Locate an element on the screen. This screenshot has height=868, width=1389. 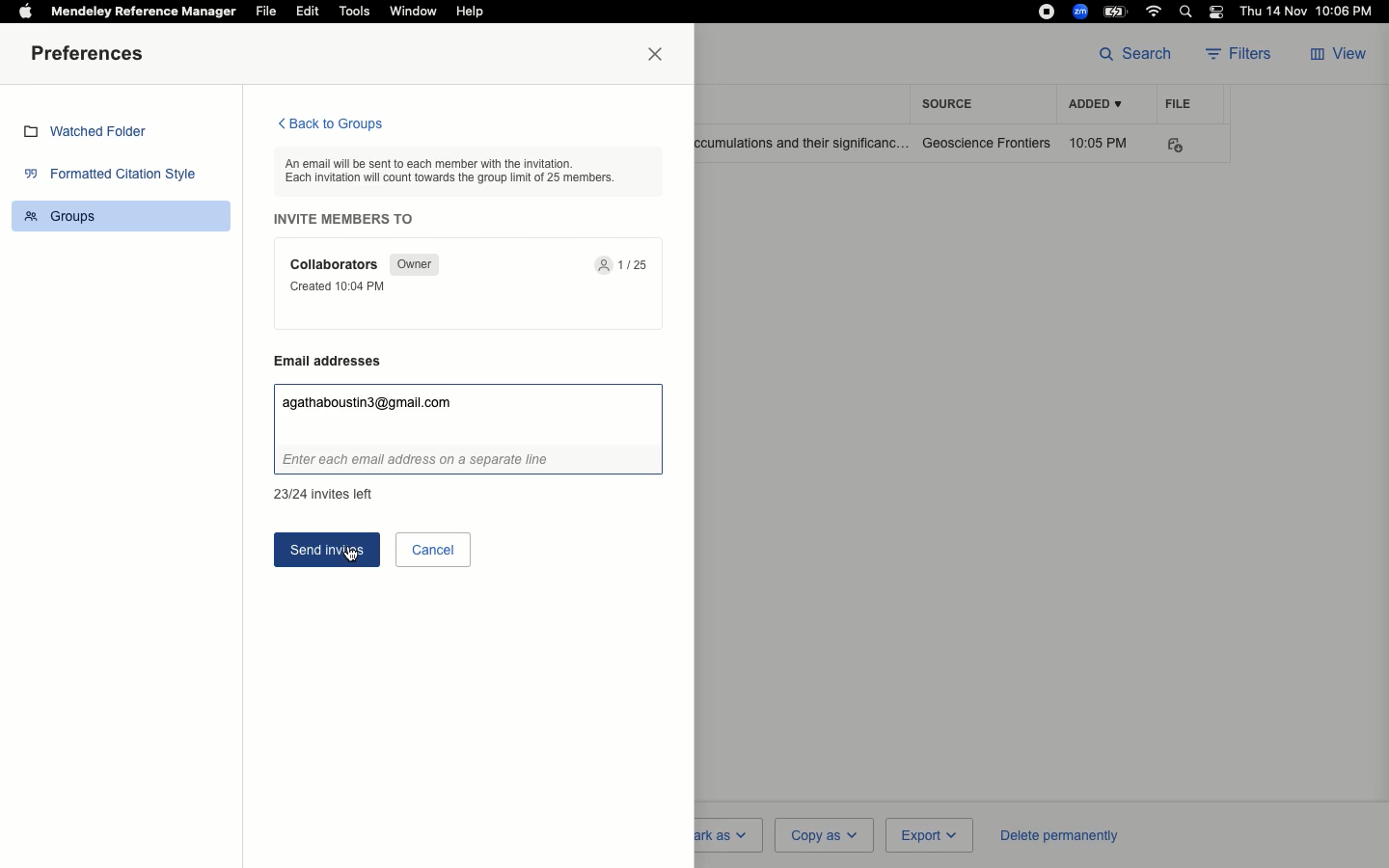
File is located at coordinates (1179, 103).